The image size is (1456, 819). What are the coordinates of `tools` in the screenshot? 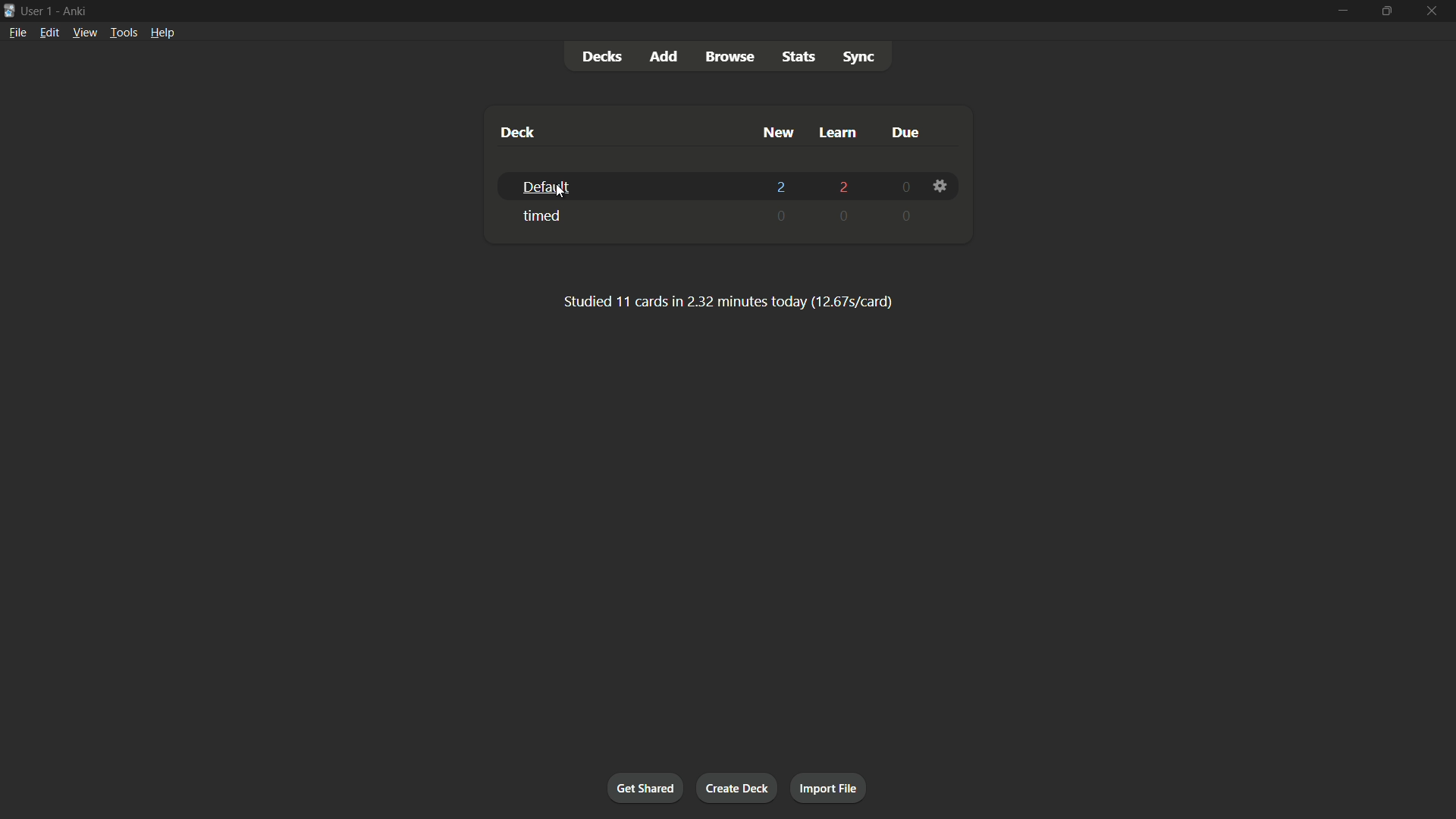 It's located at (124, 33).